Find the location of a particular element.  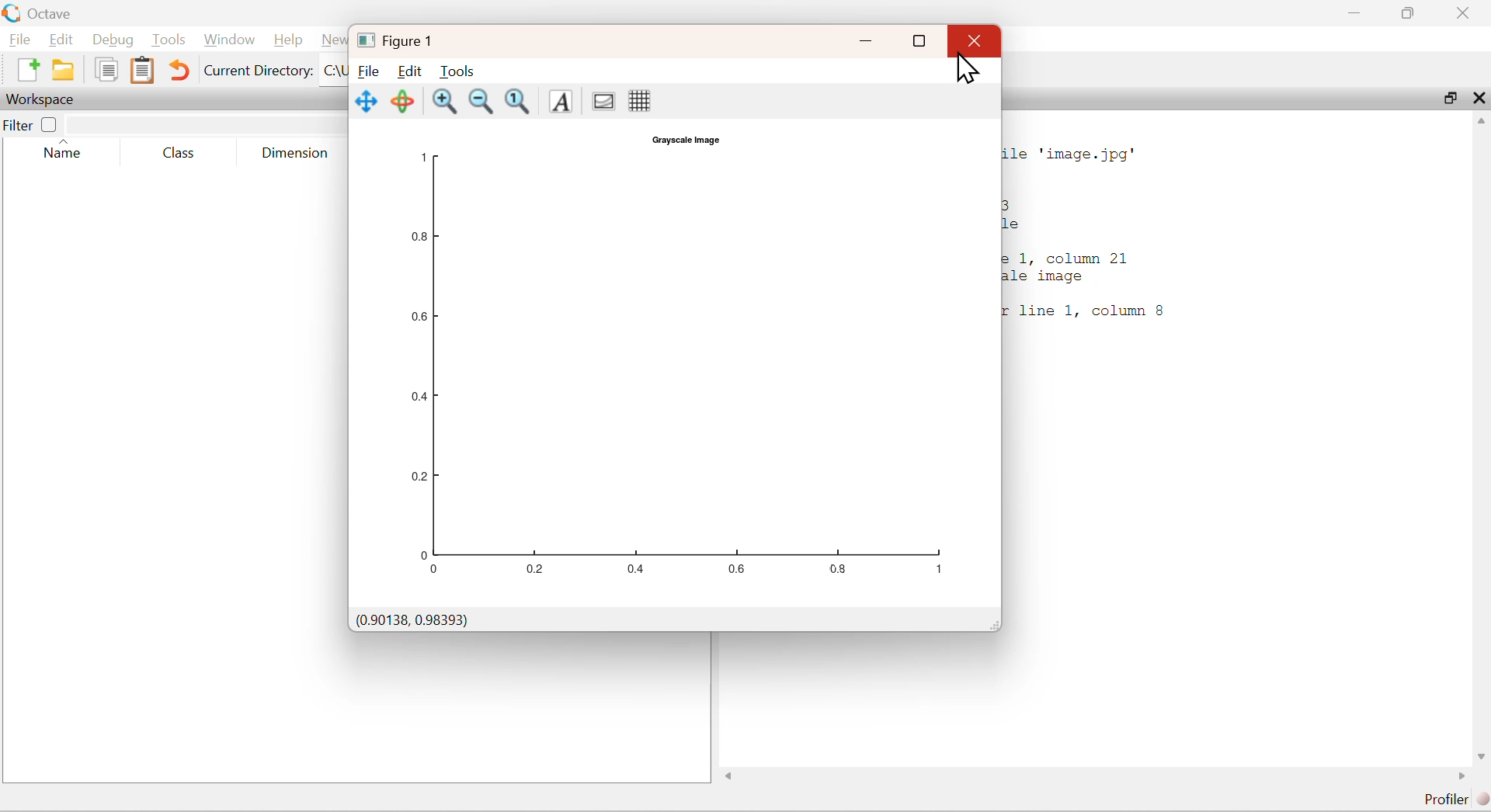

ile 'image.jpg’
e
1, column 21
le image
line 1, column 8 is located at coordinates (1092, 237).